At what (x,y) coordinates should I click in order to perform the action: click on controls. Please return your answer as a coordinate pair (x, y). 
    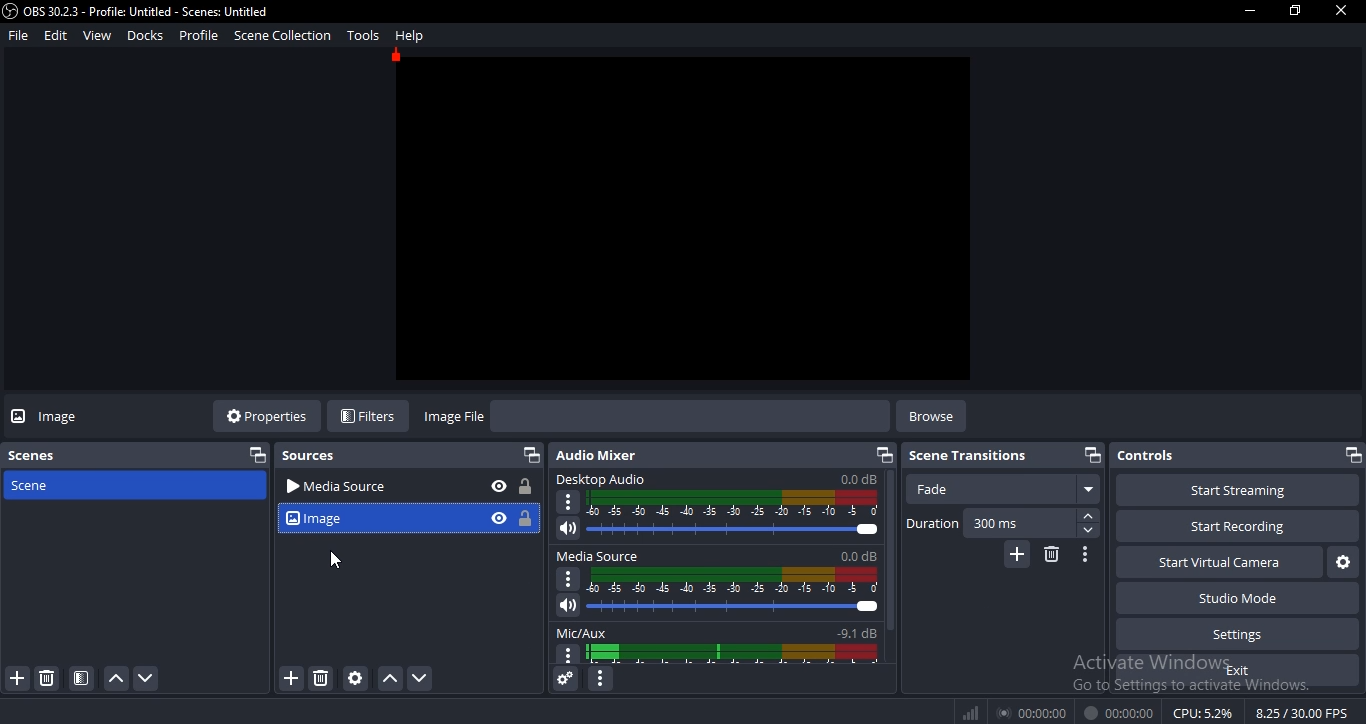
    Looking at the image, I should click on (1225, 456).